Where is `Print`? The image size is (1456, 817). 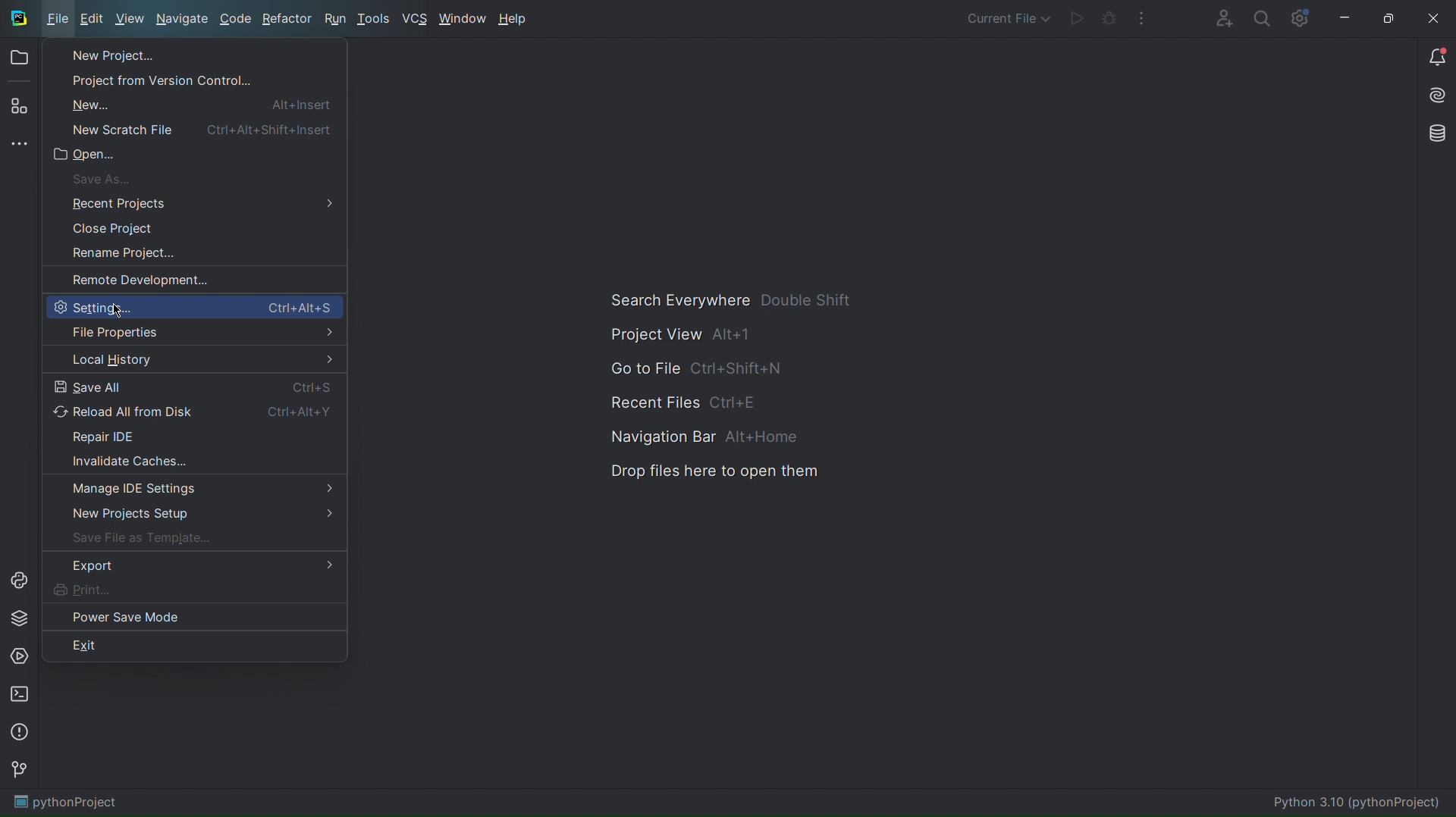
Print is located at coordinates (200, 593).